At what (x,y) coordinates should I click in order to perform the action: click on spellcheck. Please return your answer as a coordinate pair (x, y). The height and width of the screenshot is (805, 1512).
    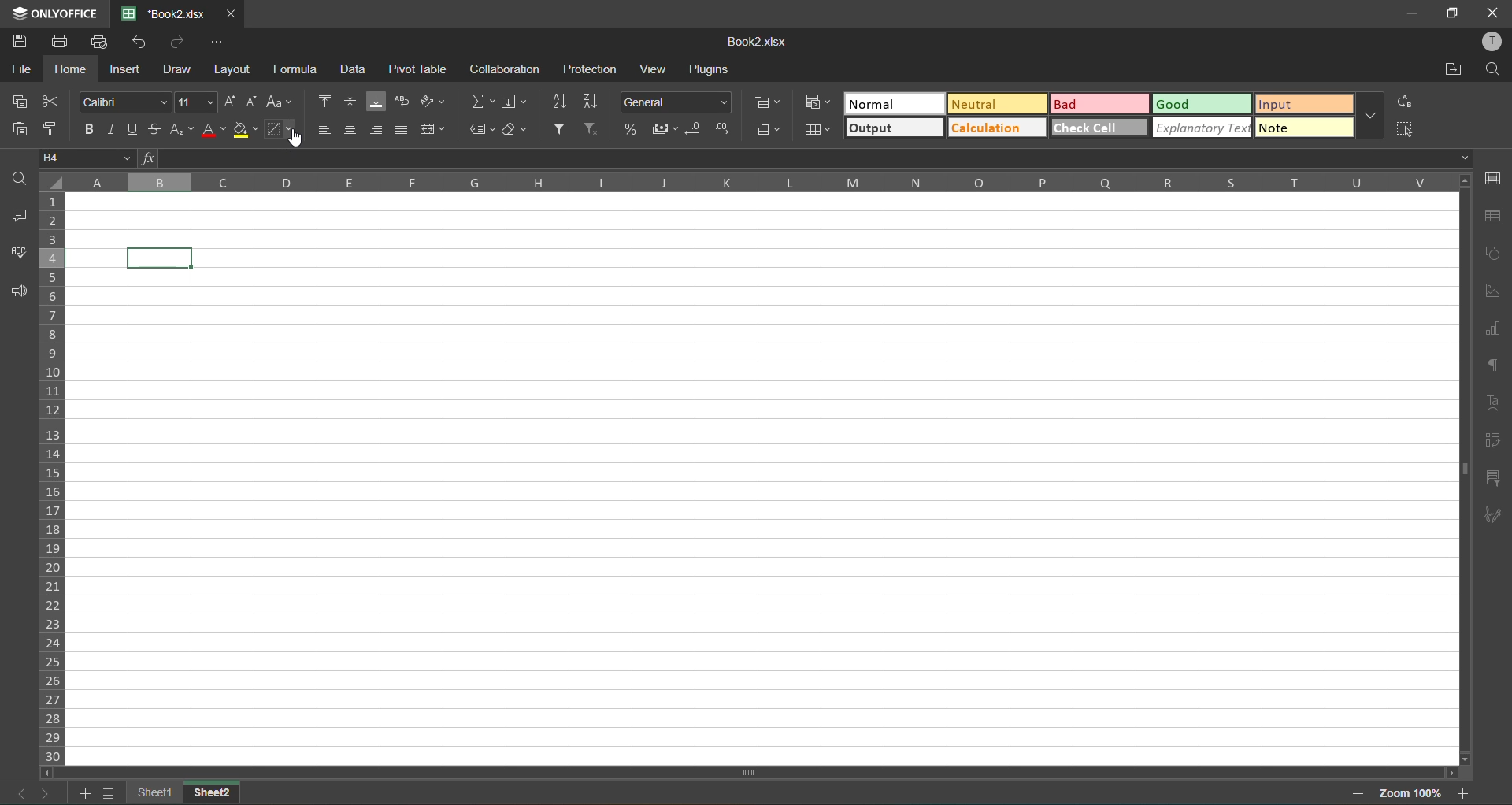
    Looking at the image, I should click on (16, 254).